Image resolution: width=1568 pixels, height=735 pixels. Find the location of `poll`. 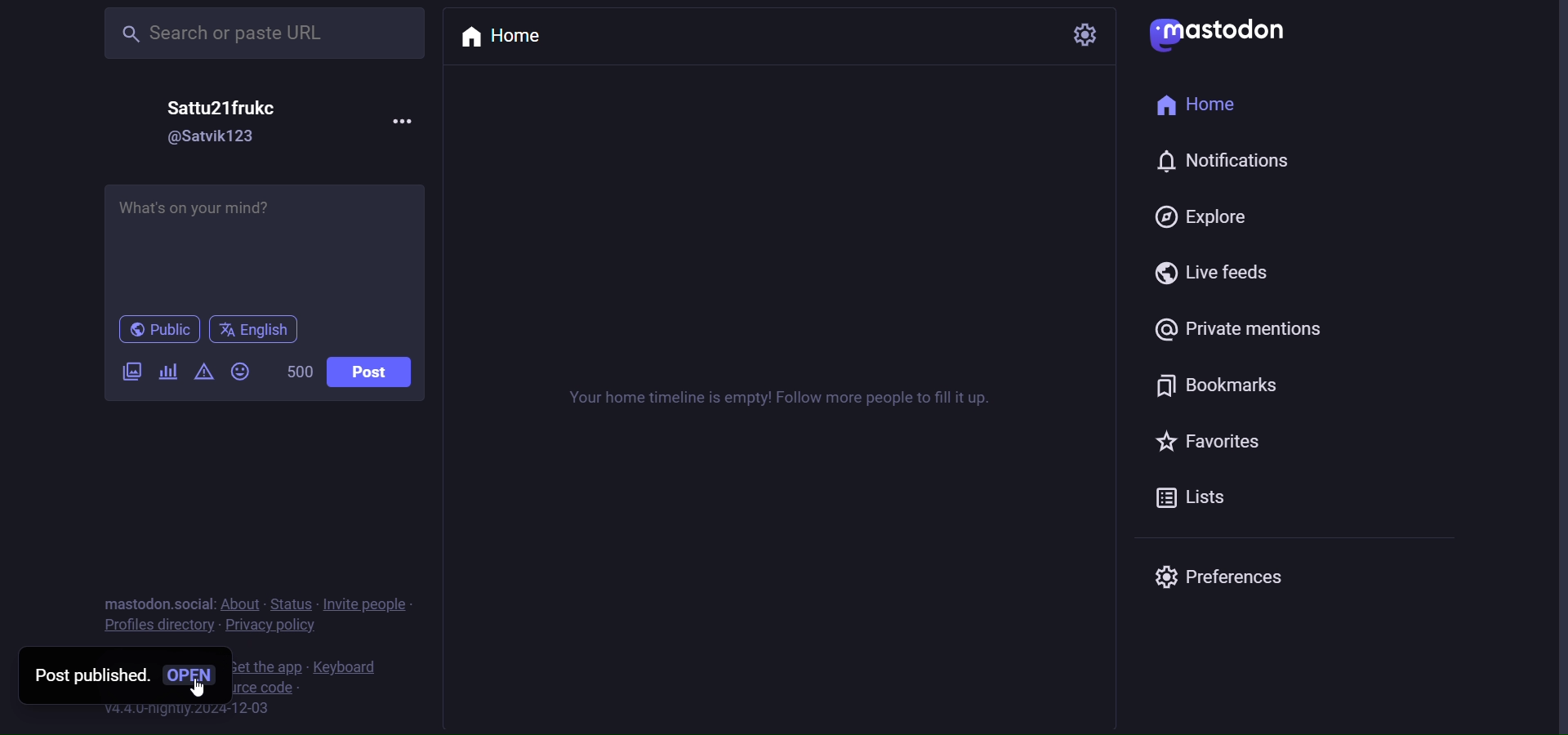

poll is located at coordinates (171, 372).